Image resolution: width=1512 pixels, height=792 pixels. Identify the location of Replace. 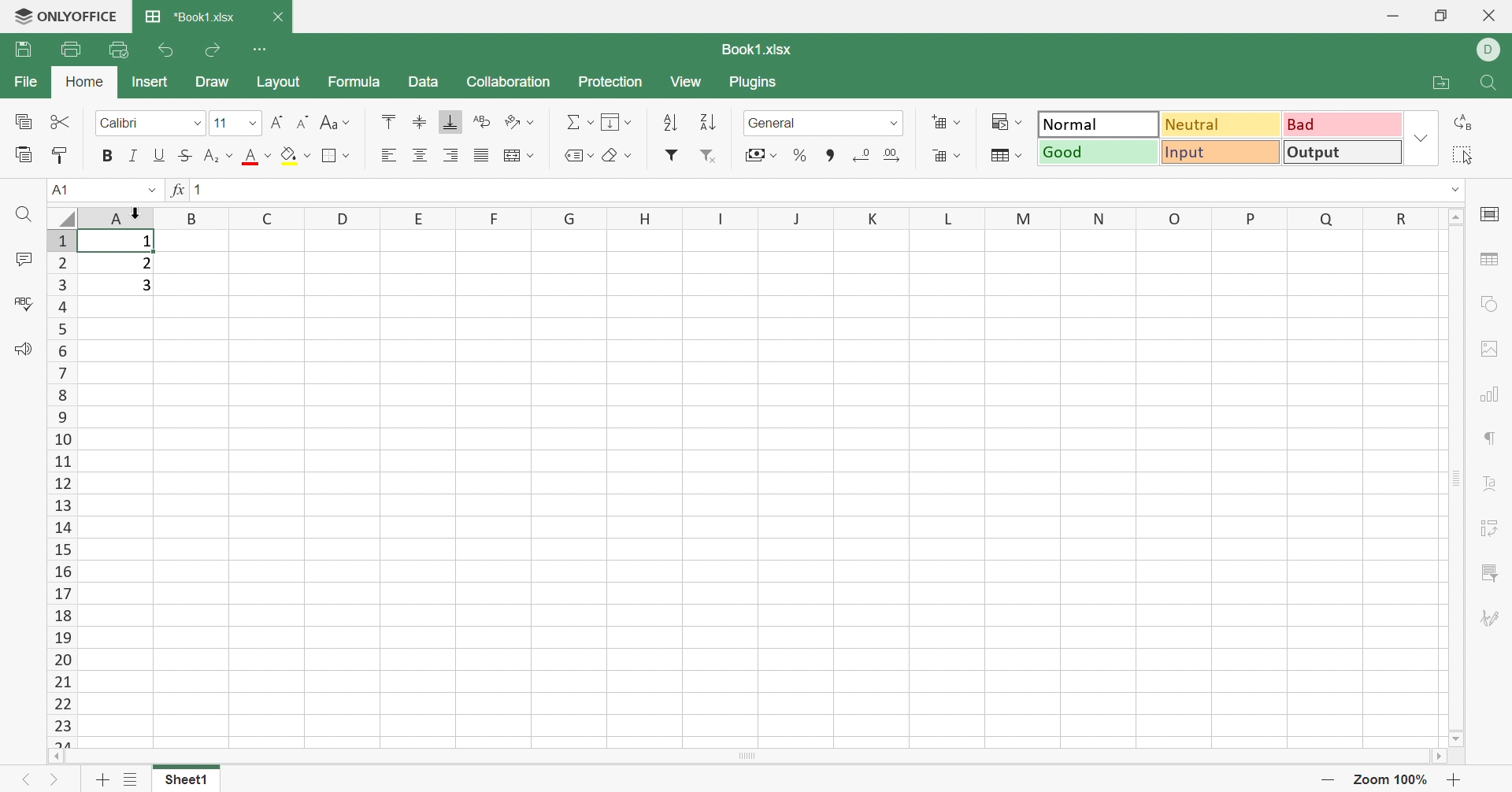
(1461, 123).